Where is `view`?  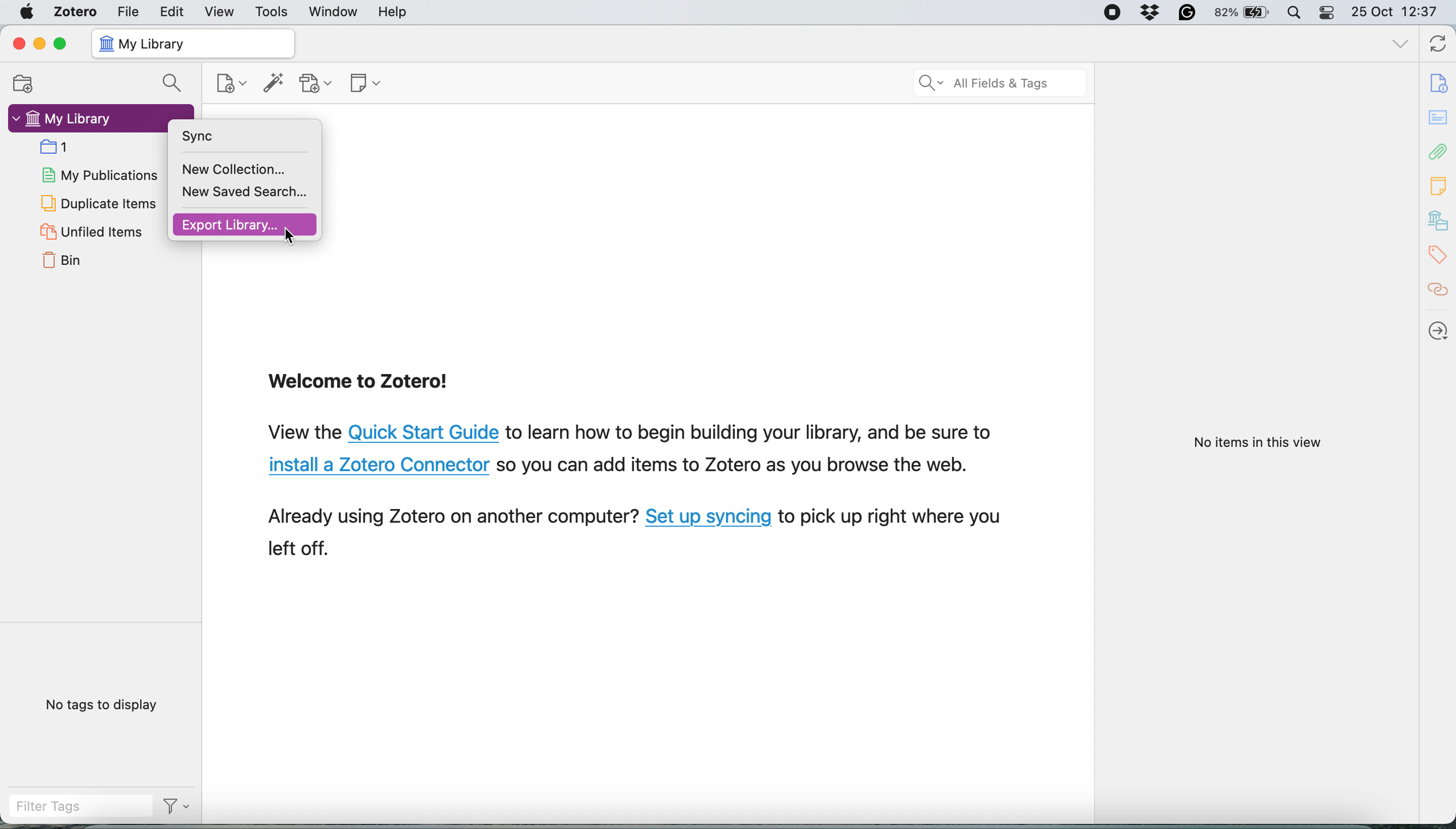 view is located at coordinates (220, 11).